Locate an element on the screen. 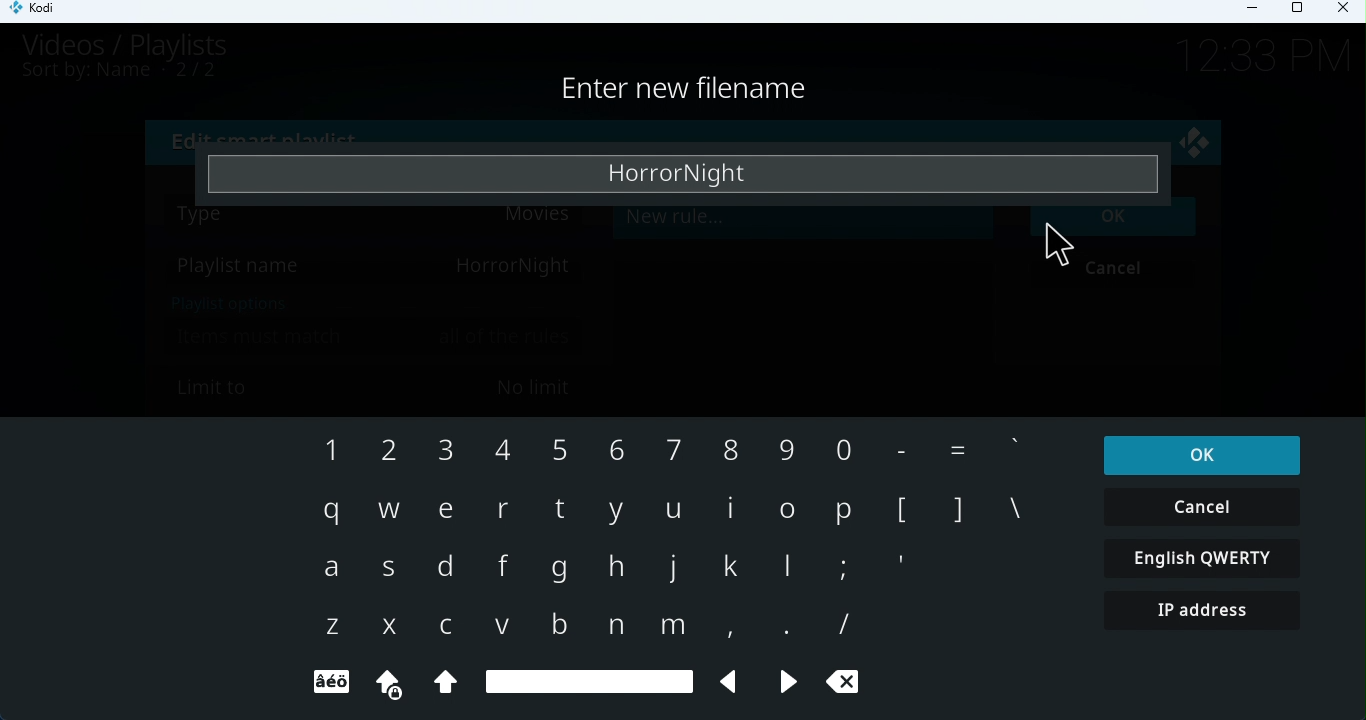 The image size is (1366, 720). Enter playlist name is located at coordinates (706, 92).